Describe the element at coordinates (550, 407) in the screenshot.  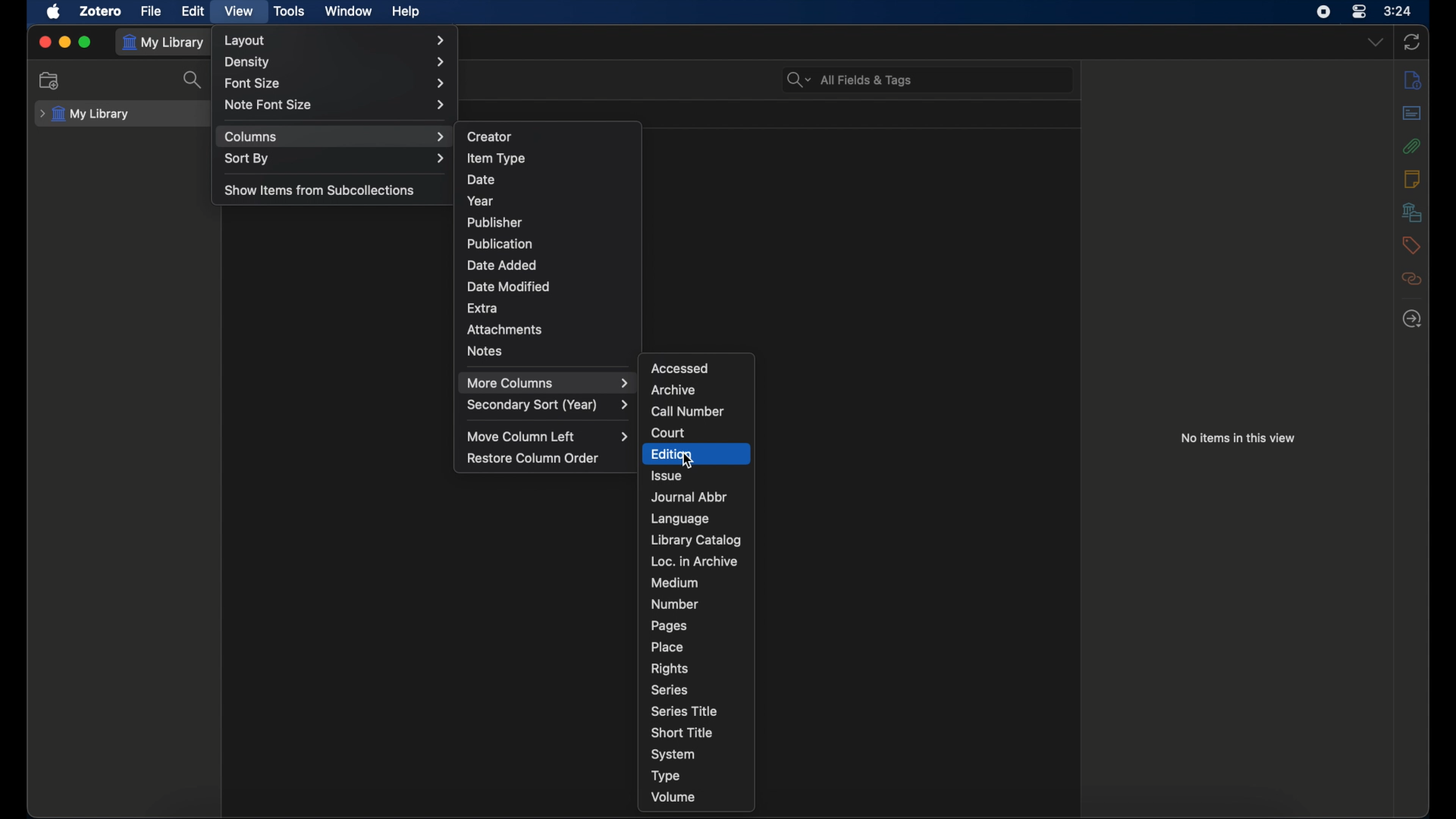
I see `secondary sort` at that location.